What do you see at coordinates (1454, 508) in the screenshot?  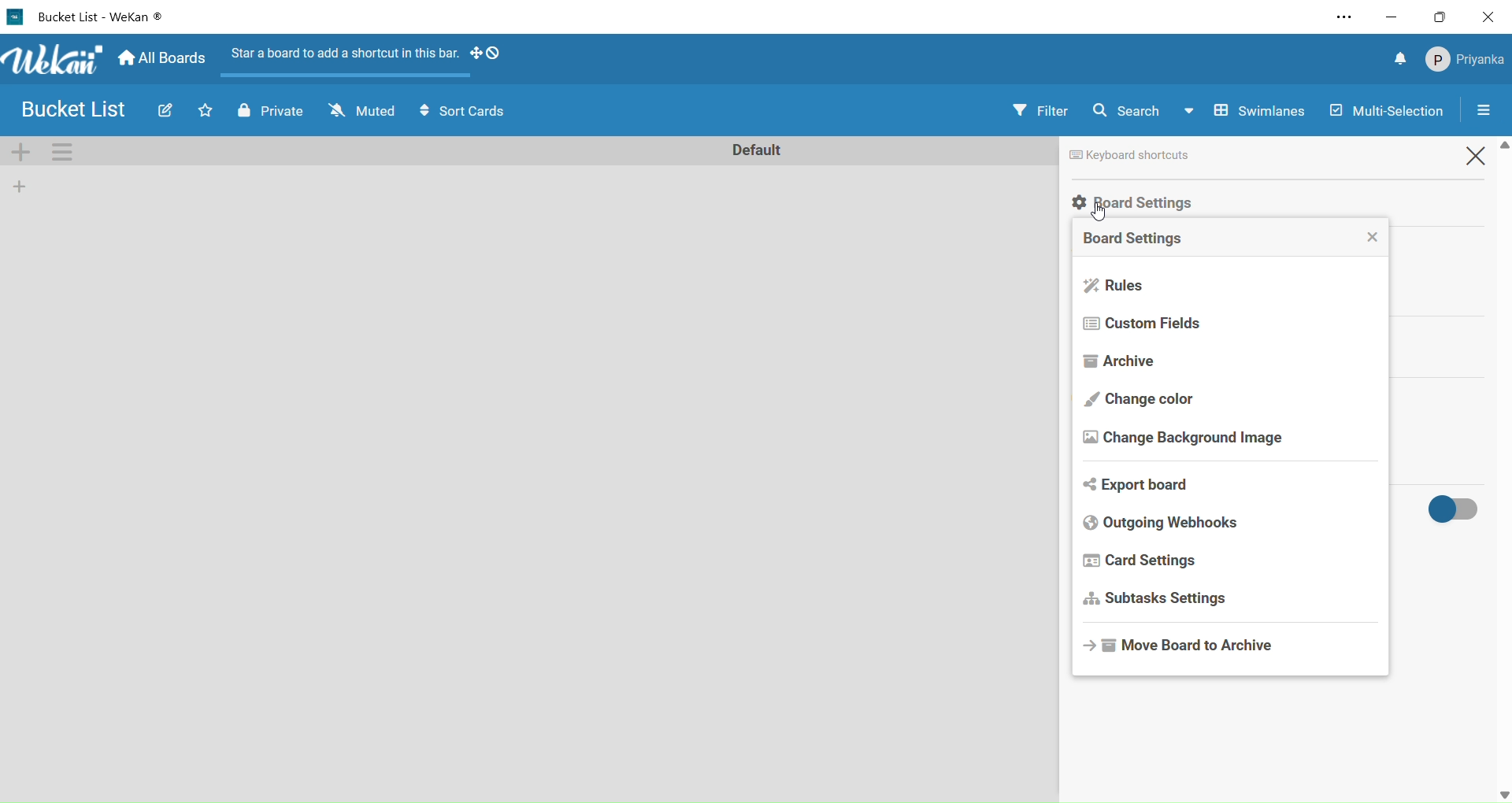 I see `activities on/off` at bounding box center [1454, 508].